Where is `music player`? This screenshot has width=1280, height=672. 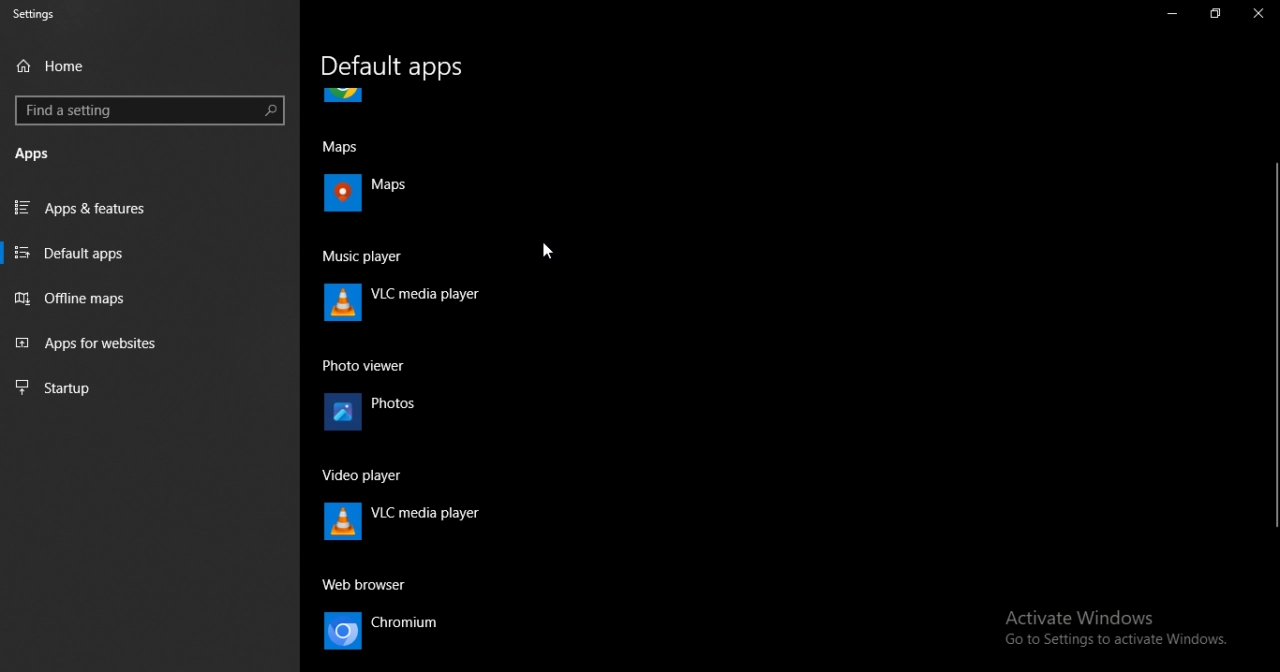 music player is located at coordinates (366, 256).